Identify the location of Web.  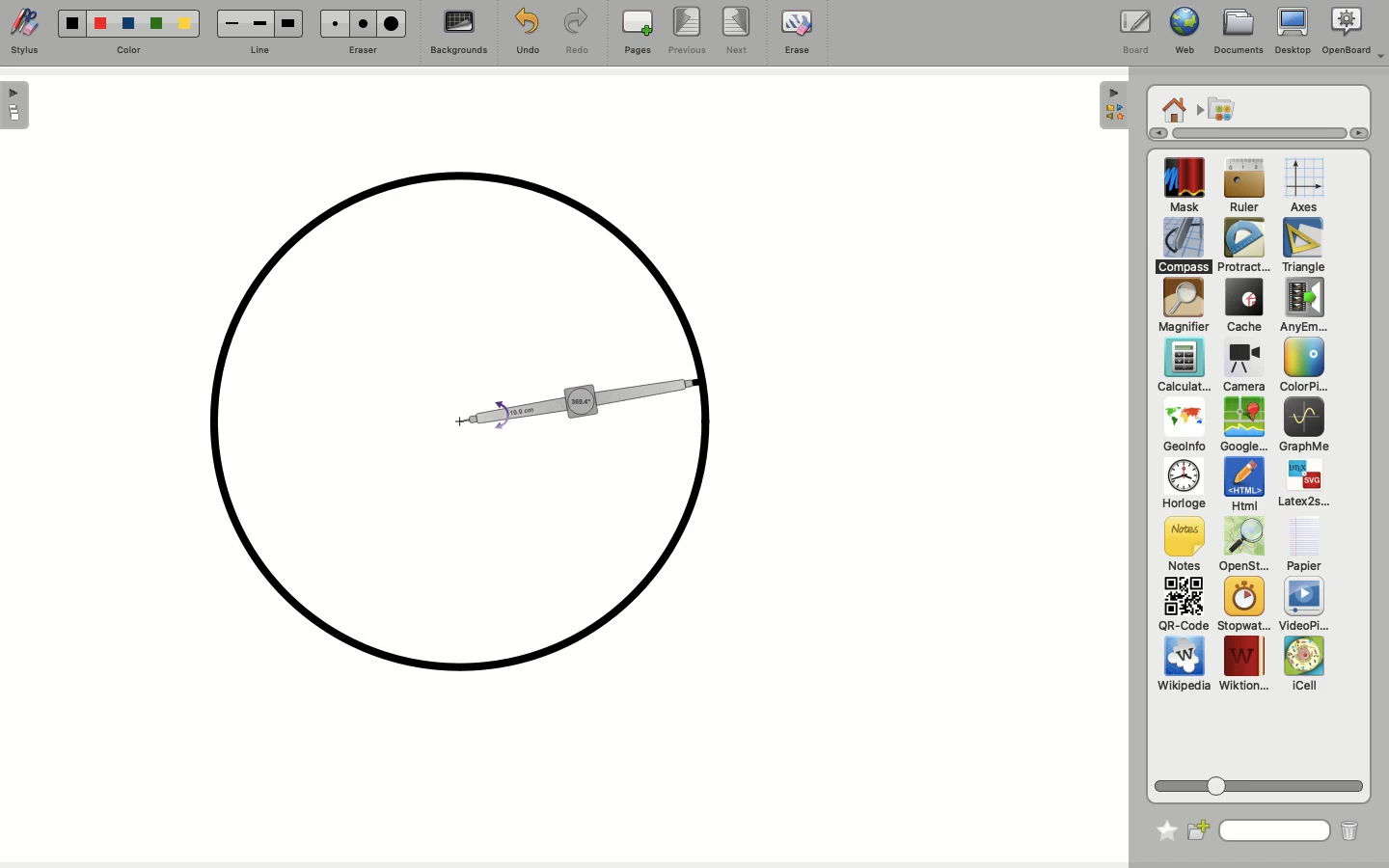
(1182, 33).